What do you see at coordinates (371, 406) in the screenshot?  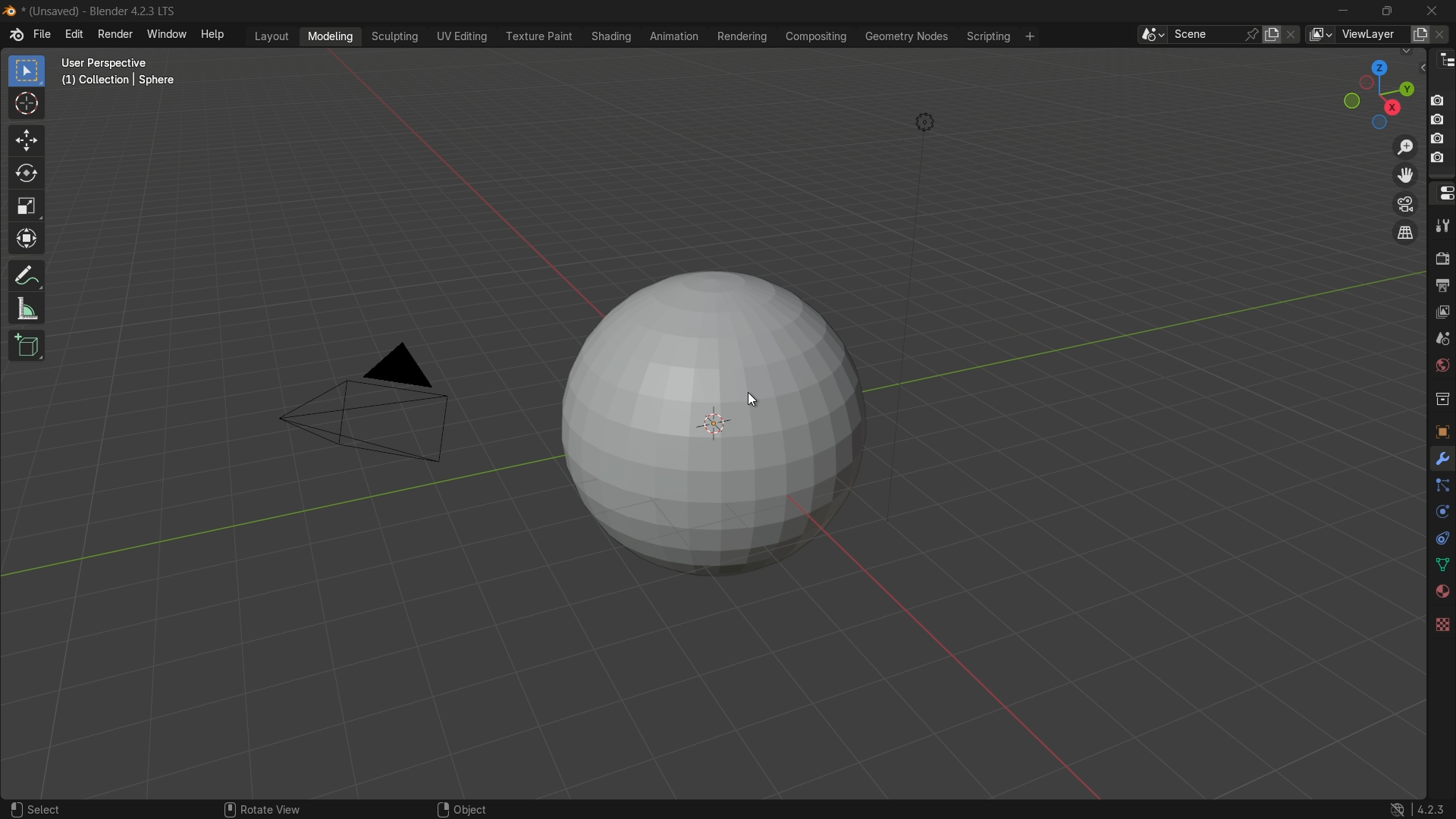 I see `camera` at bounding box center [371, 406].